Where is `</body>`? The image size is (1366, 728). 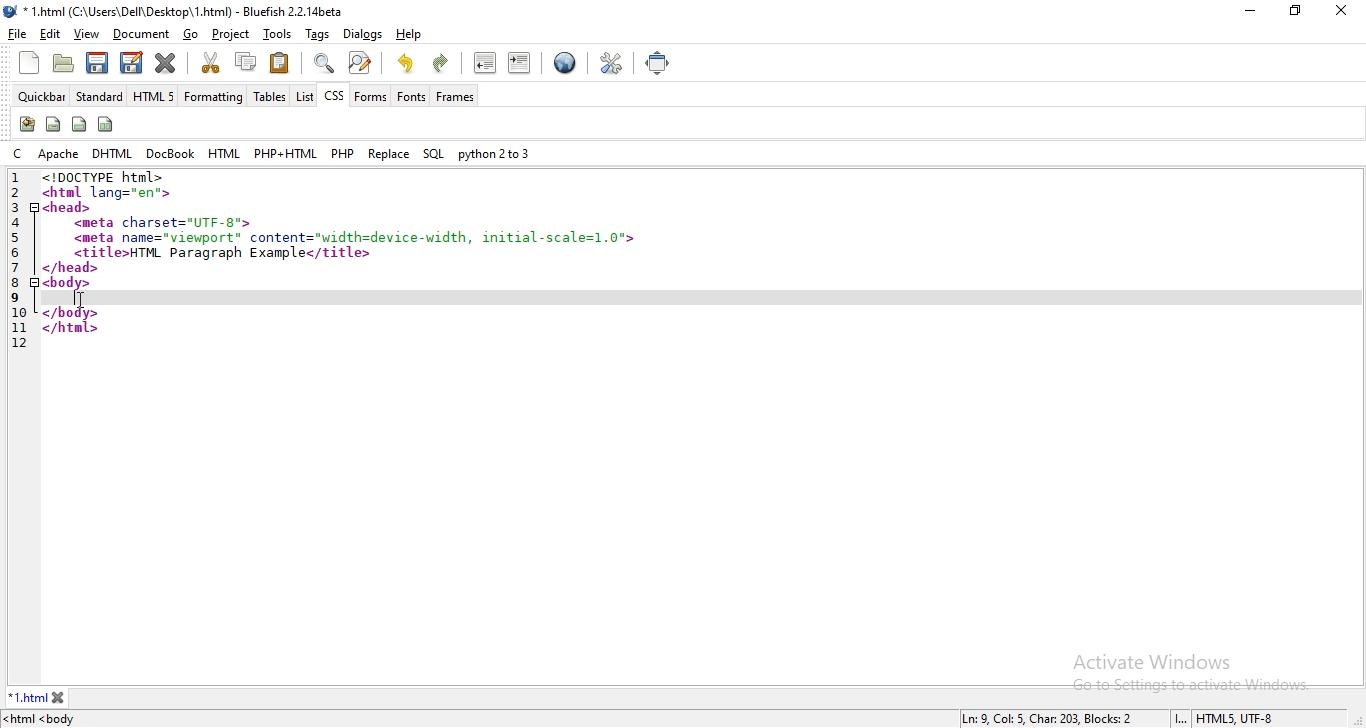 </body> is located at coordinates (71, 313).